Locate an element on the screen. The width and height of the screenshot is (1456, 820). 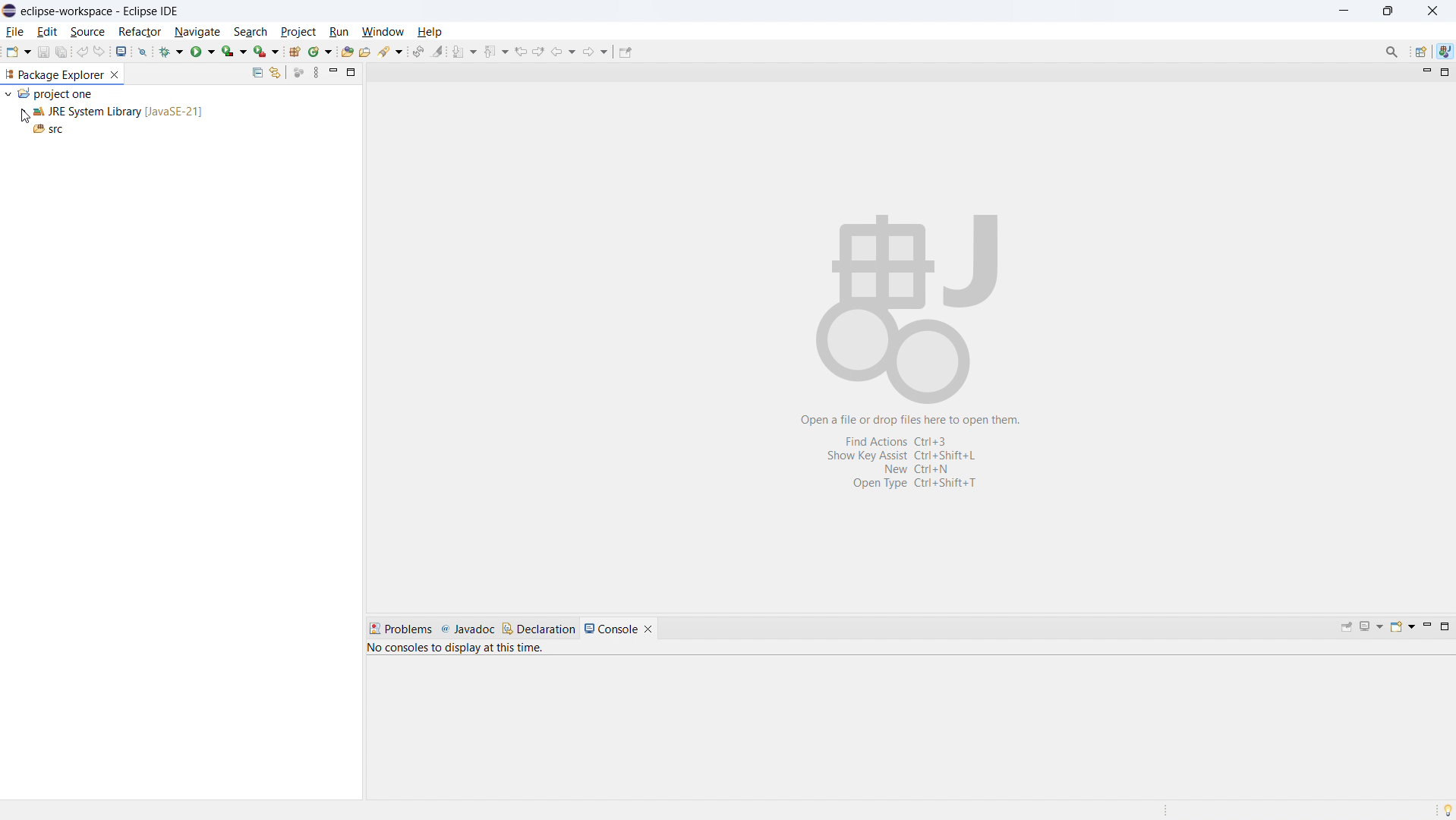
close is located at coordinates (118, 74).